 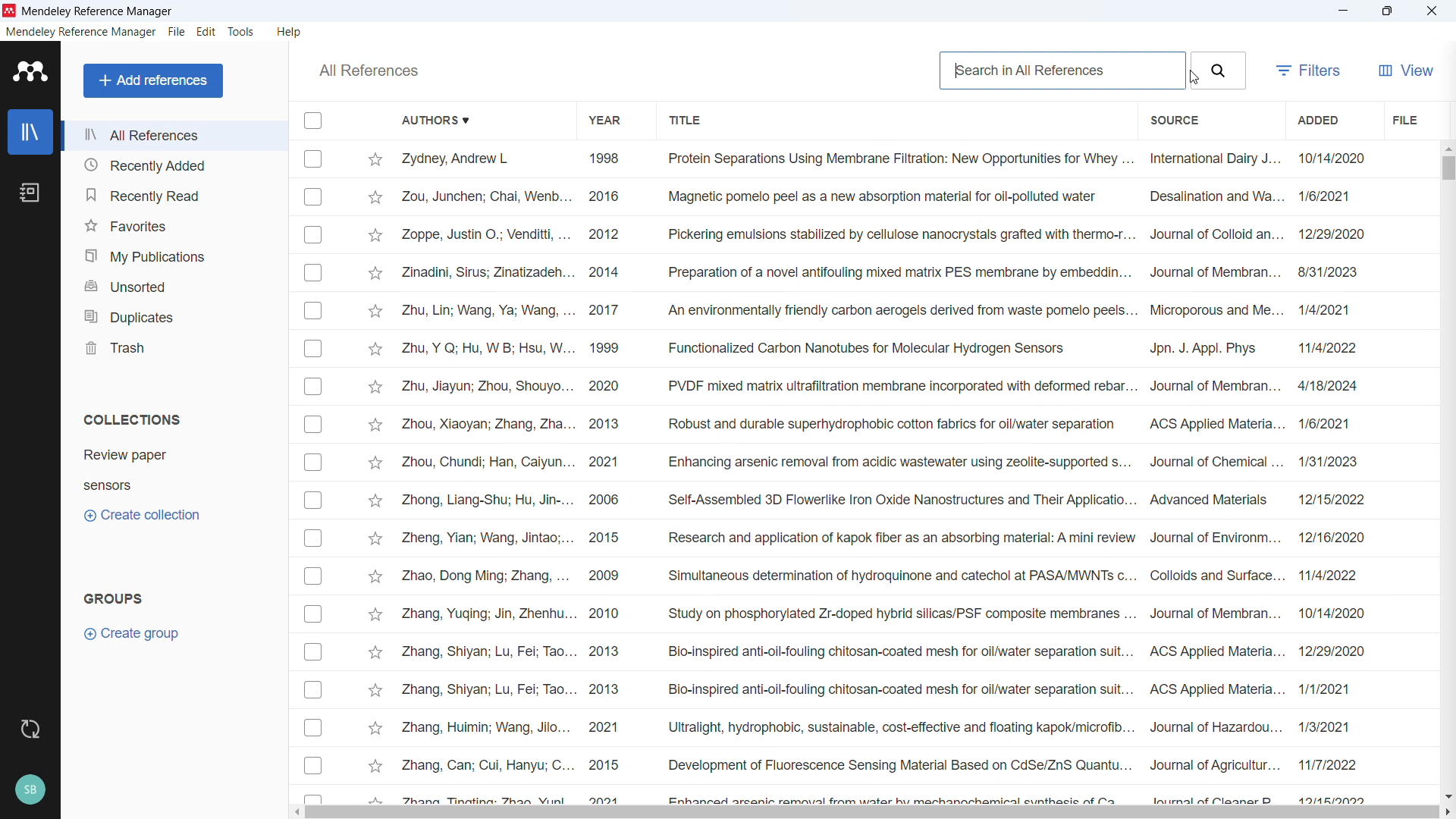 What do you see at coordinates (80, 32) in the screenshot?
I see `mendeley reference manager` at bounding box center [80, 32].